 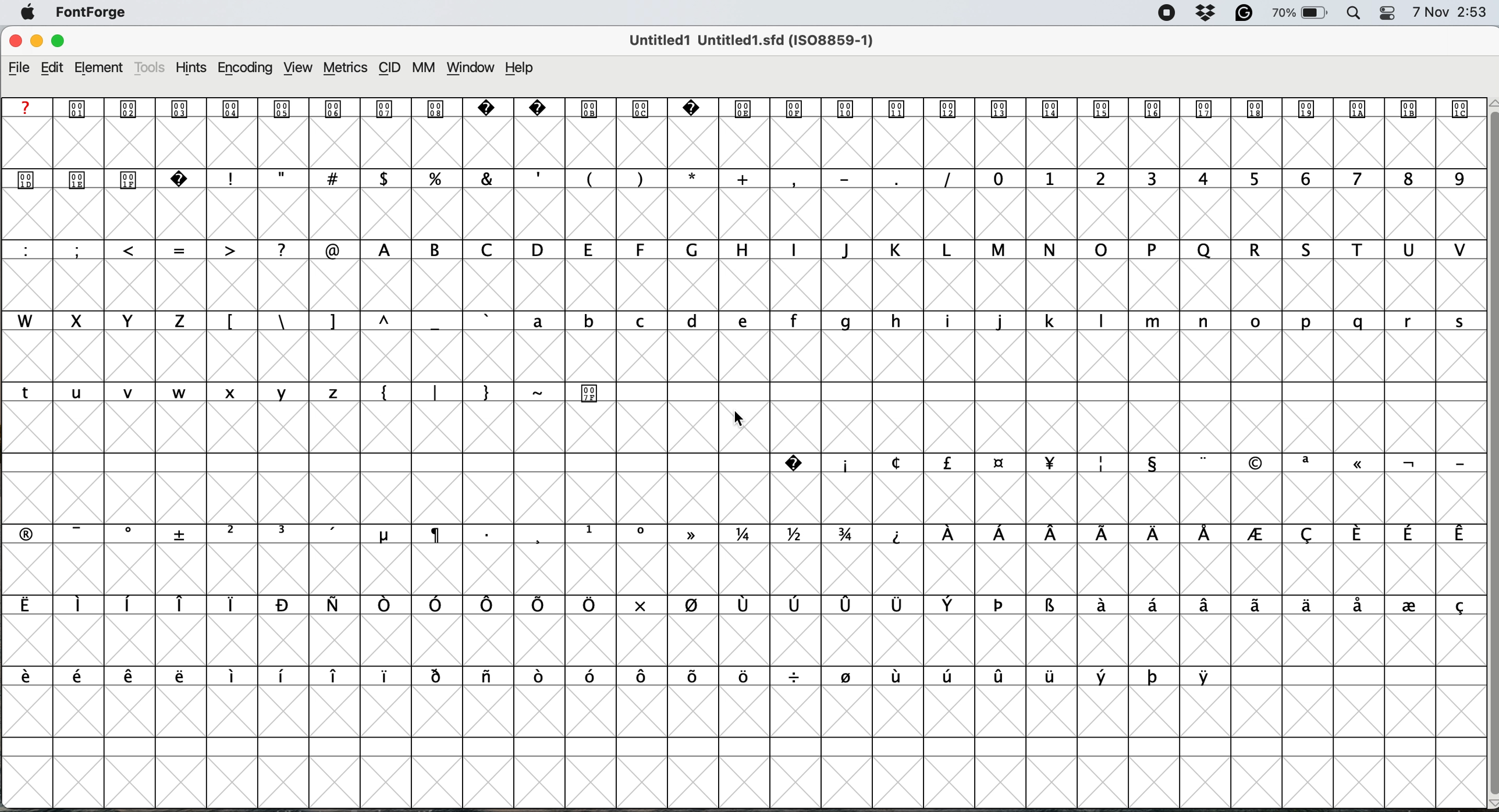 What do you see at coordinates (738, 533) in the screenshot?
I see `special characters` at bounding box center [738, 533].